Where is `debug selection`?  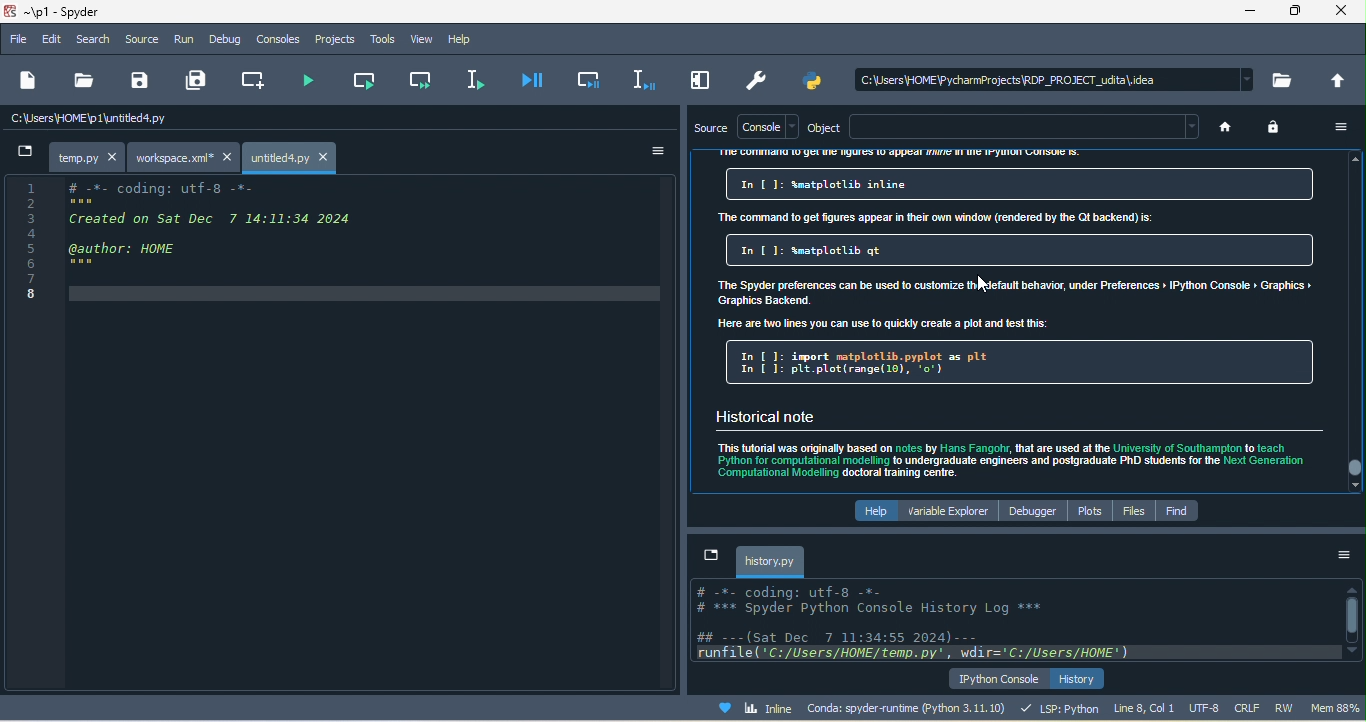 debug selection is located at coordinates (639, 78).